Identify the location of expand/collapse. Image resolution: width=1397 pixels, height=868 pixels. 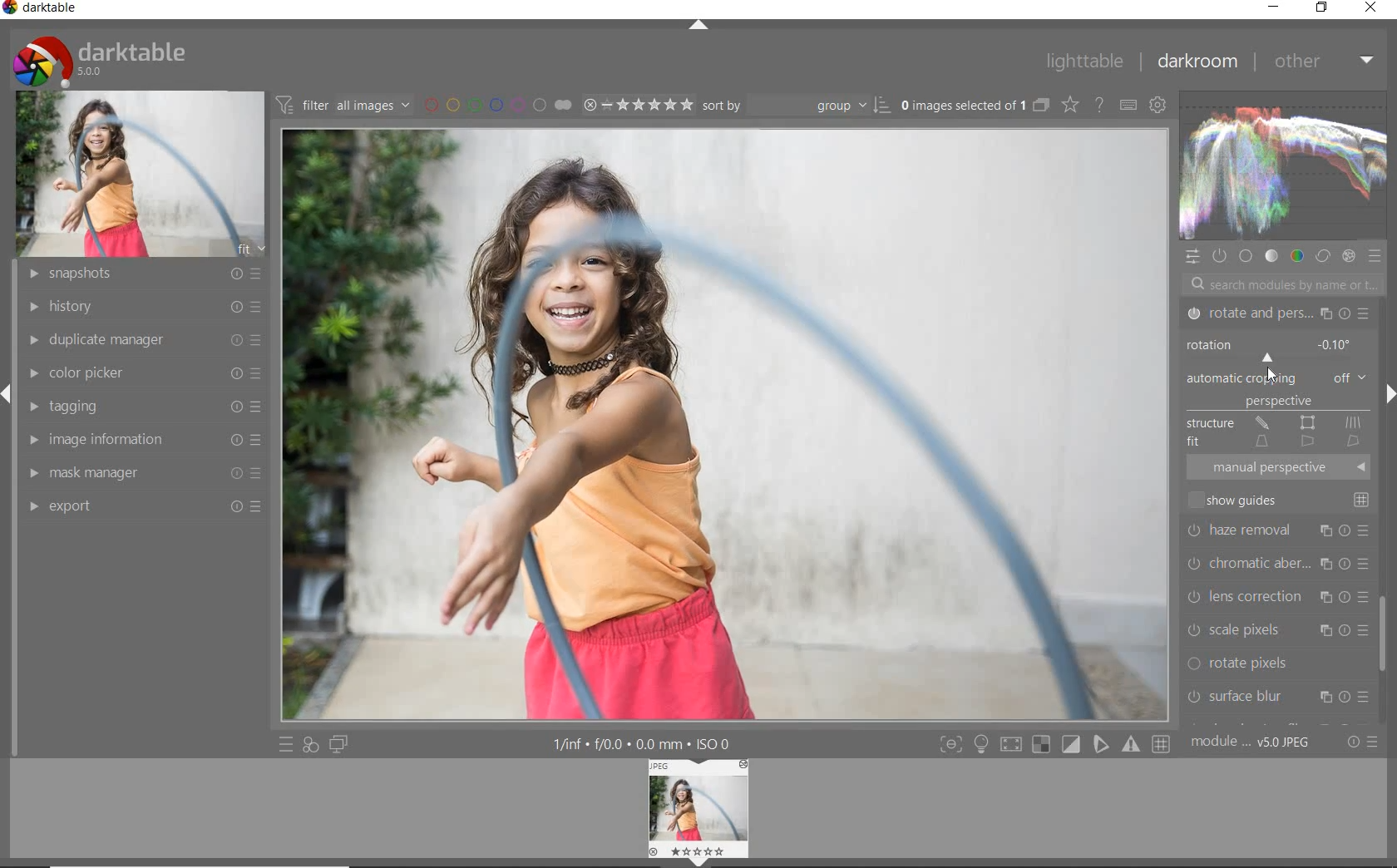
(697, 27).